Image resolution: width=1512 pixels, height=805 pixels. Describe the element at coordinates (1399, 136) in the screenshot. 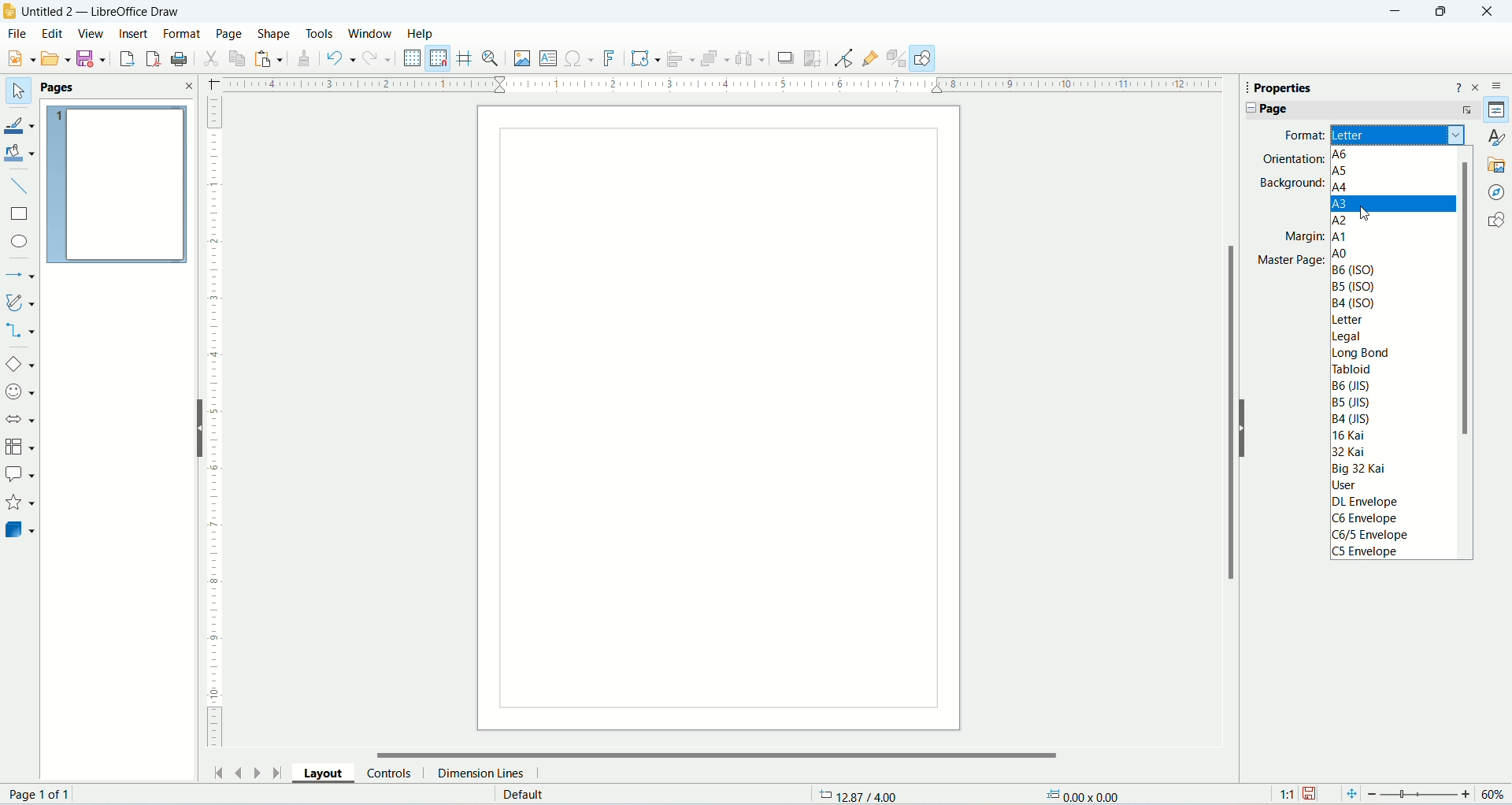

I see `letter` at that location.